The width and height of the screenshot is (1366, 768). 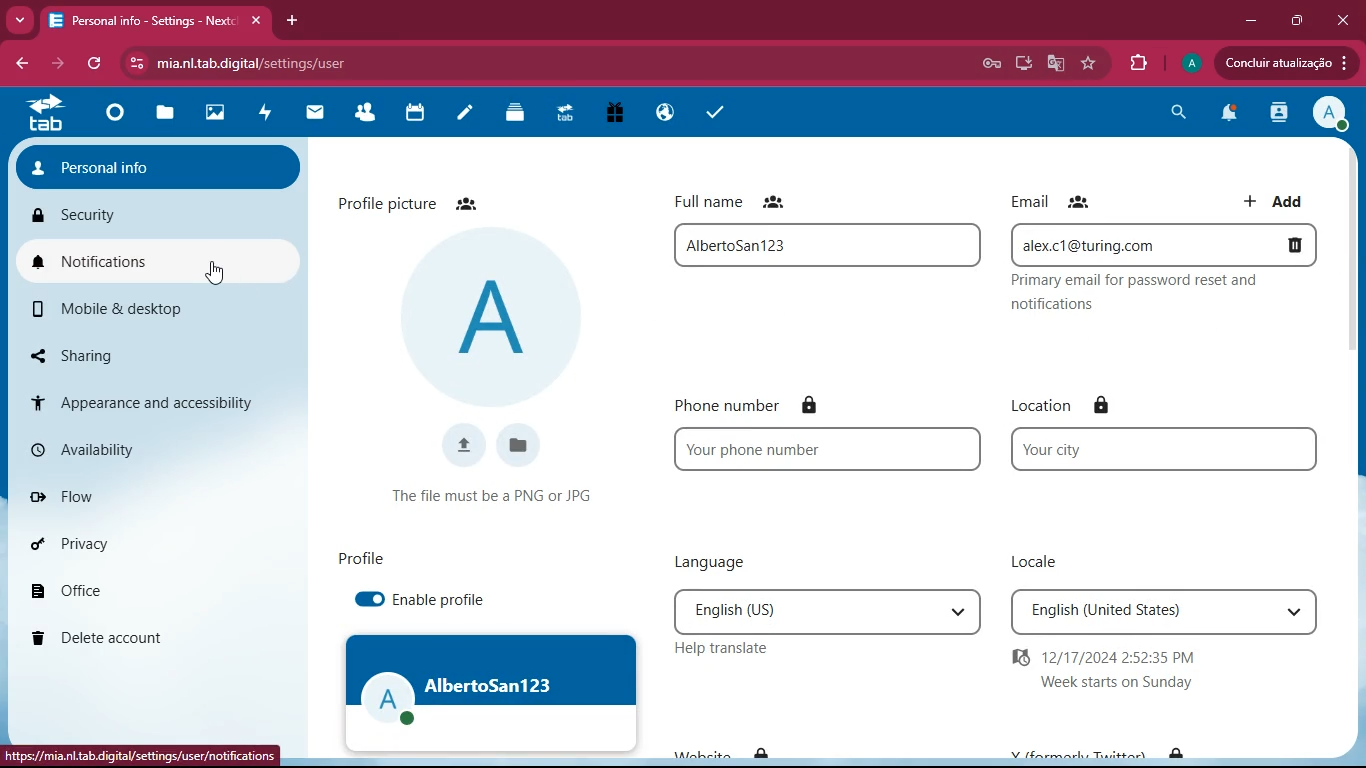 What do you see at coordinates (428, 203) in the screenshot?
I see `profile picture` at bounding box center [428, 203].